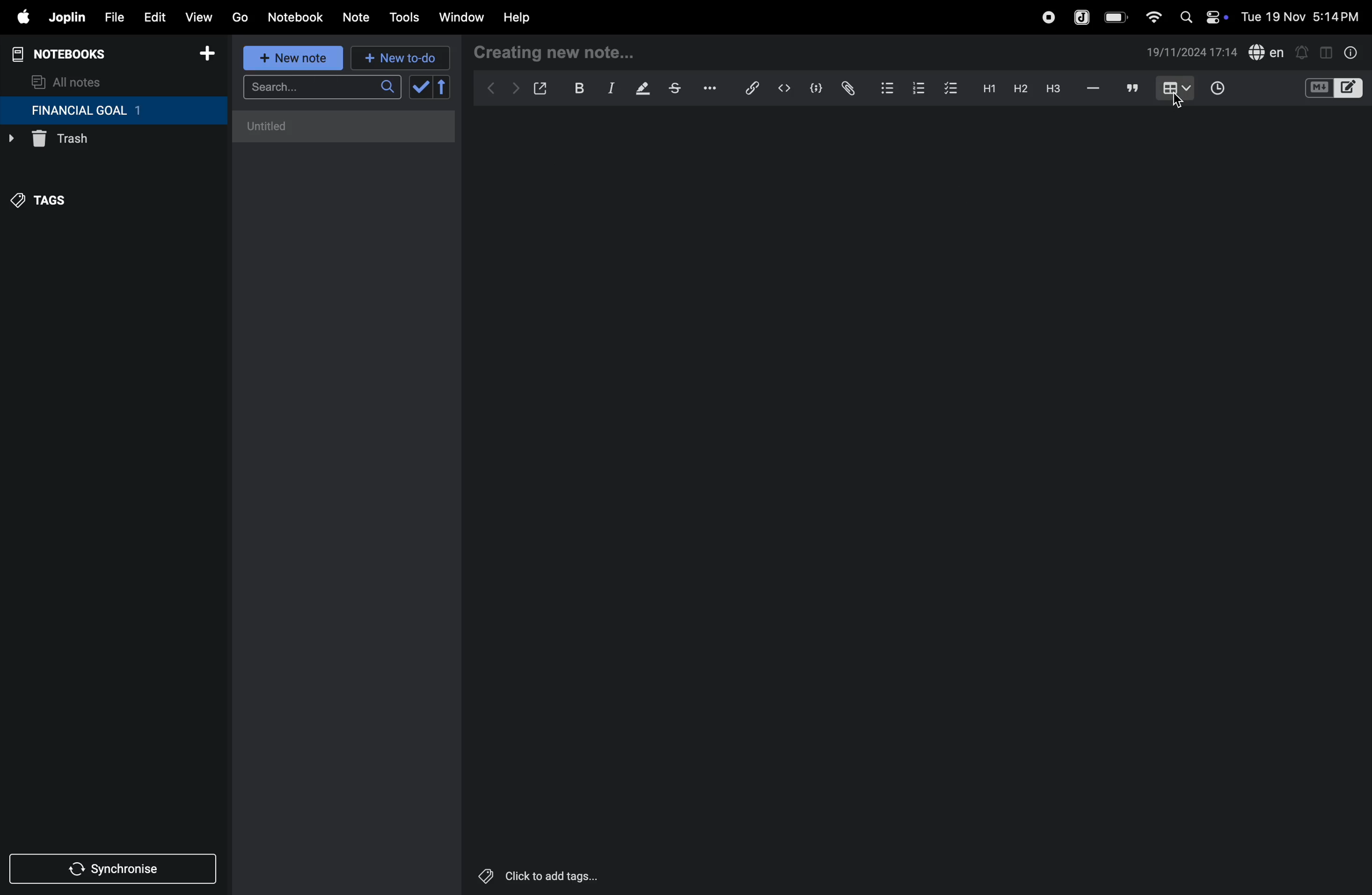 The height and width of the screenshot is (895, 1372). What do you see at coordinates (1304, 16) in the screenshot?
I see `date and time` at bounding box center [1304, 16].